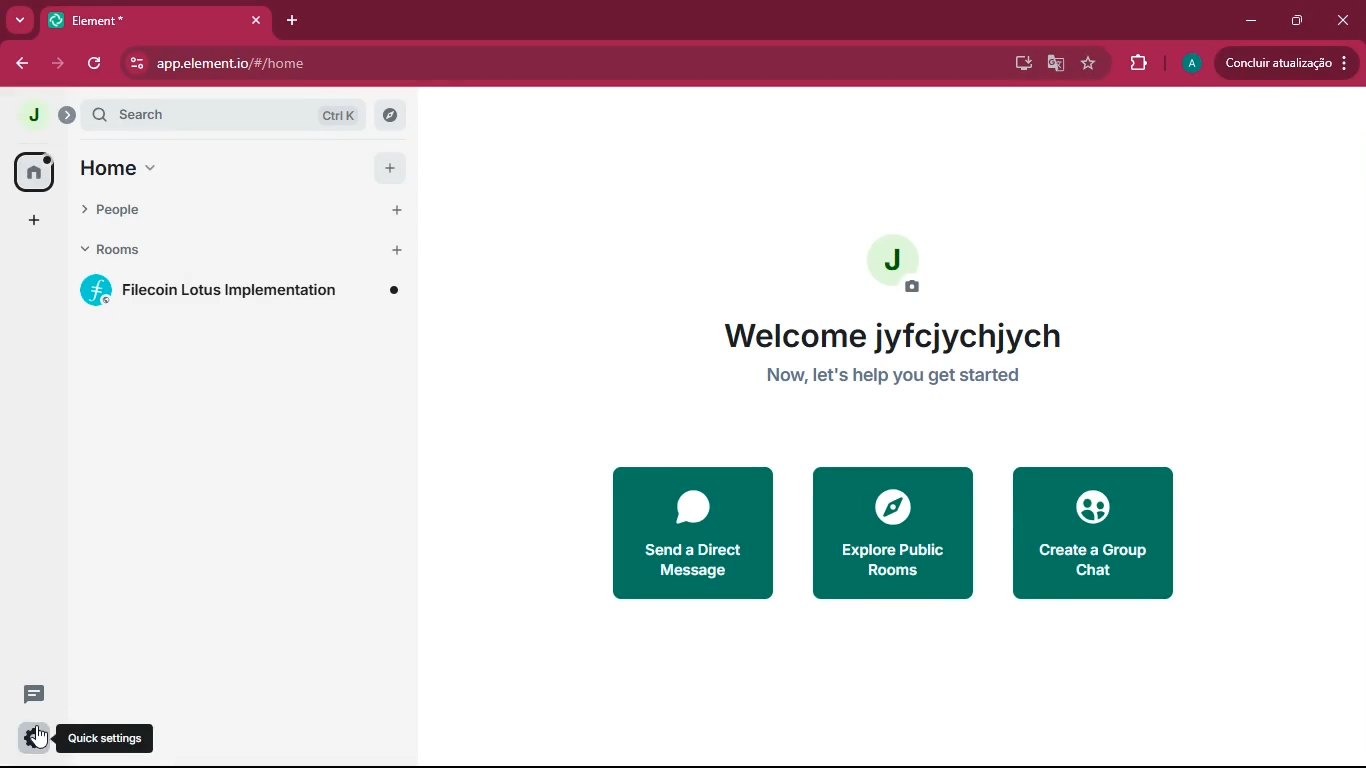  Describe the element at coordinates (1098, 534) in the screenshot. I see `create ` at that location.